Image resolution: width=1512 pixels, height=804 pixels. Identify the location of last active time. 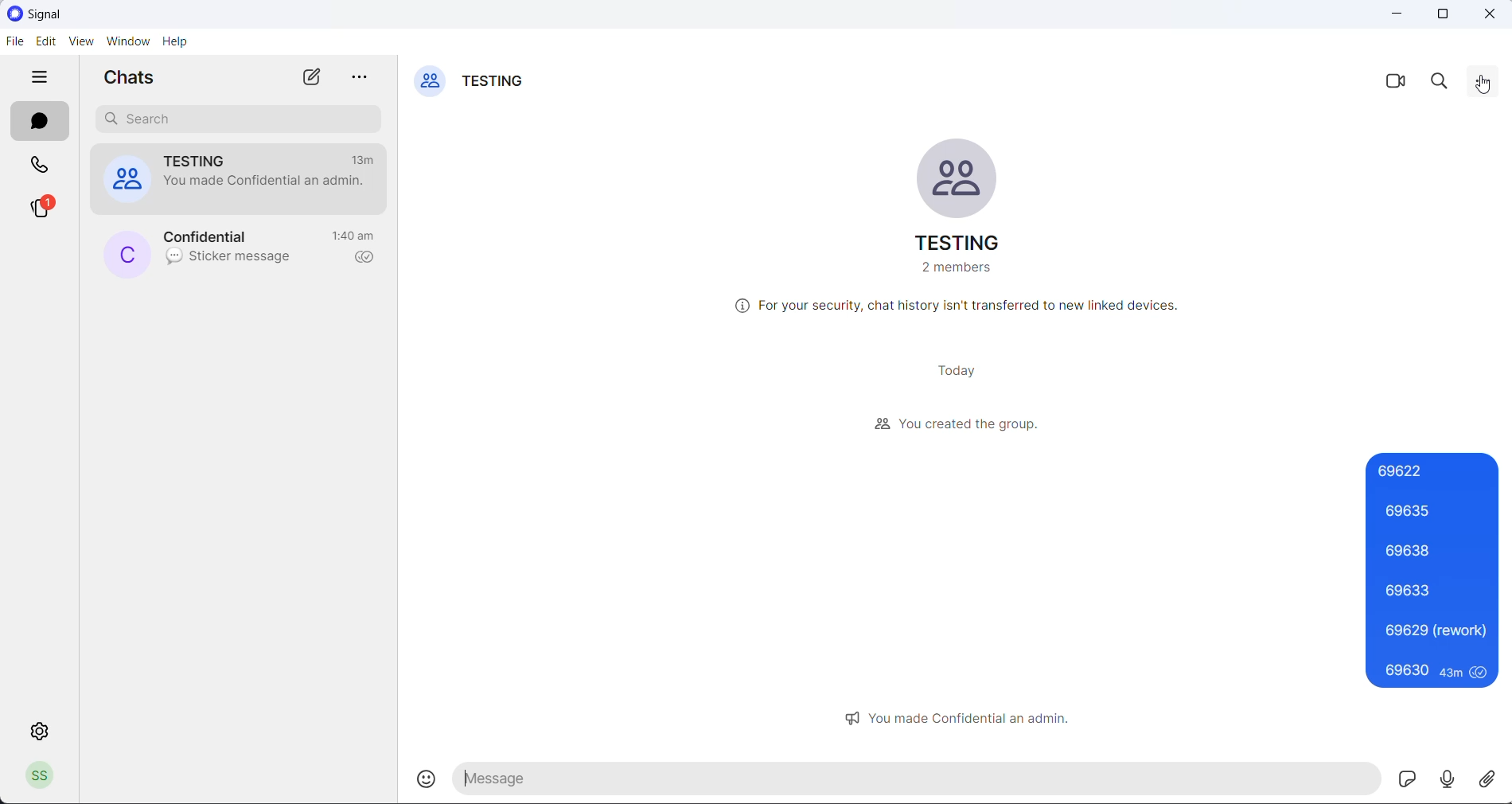
(367, 159).